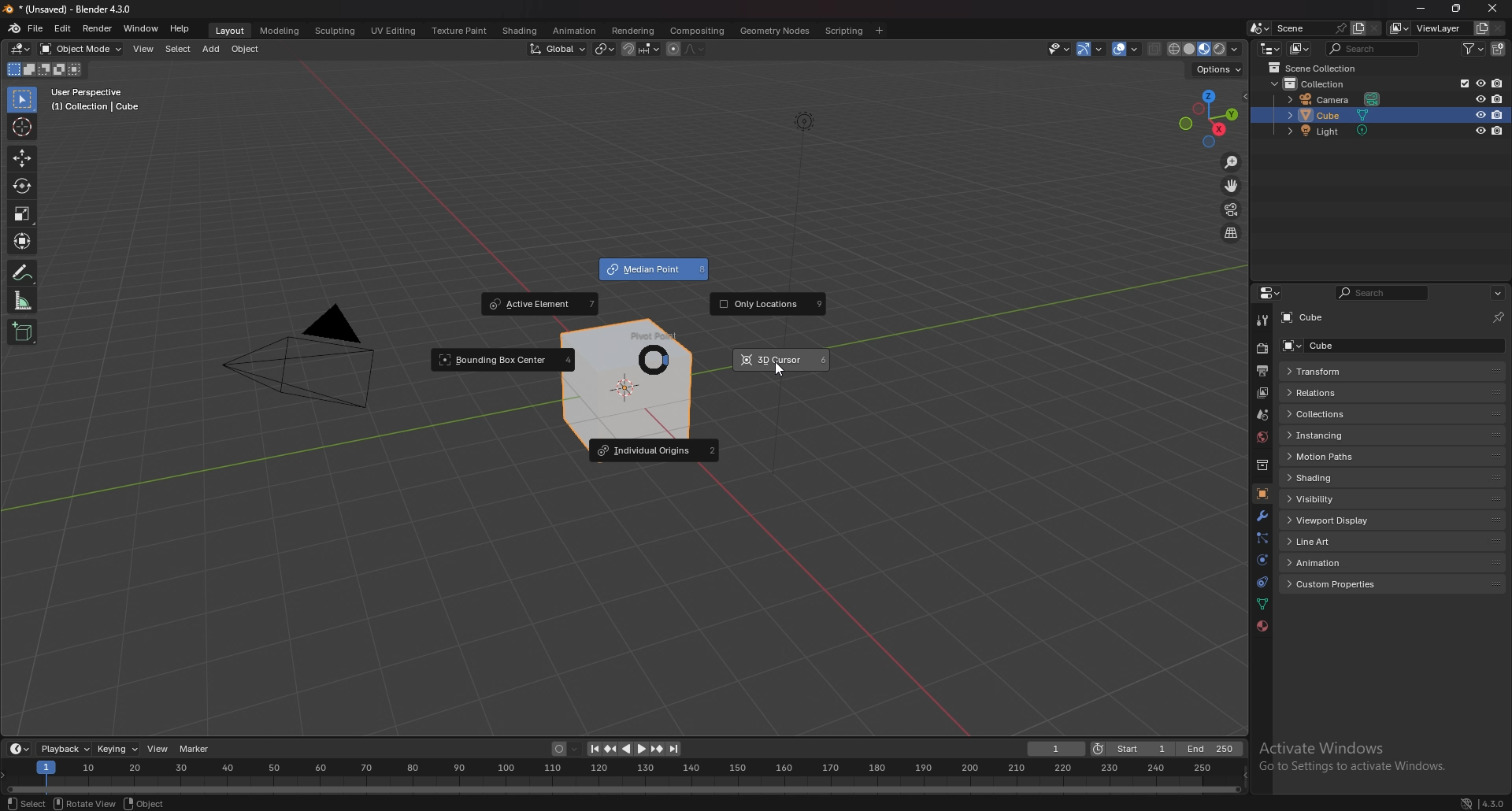 The height and width of the screenshot is (811, 1512). What do you see at coordinates (654, 270) in the screenshot?
I see `median point` at bounding box center [654, 270].